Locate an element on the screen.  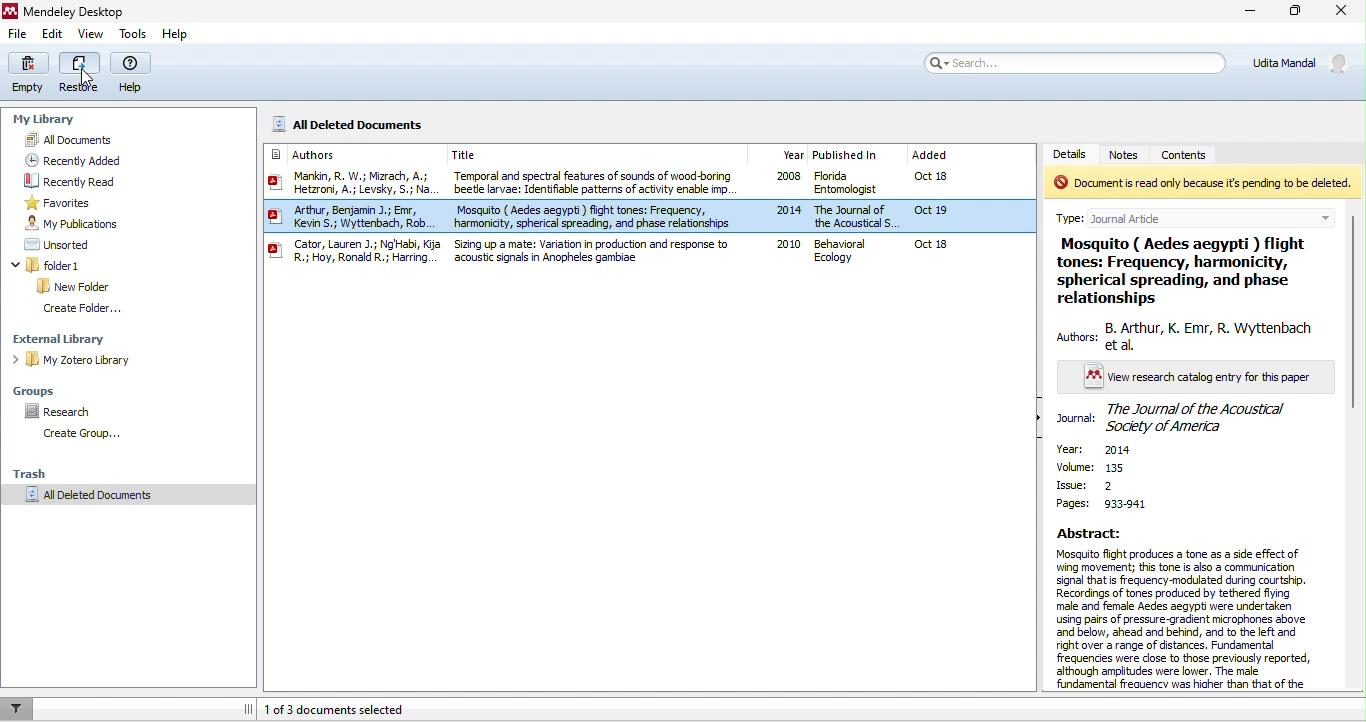
contents is located at coordinates (1199, 153).